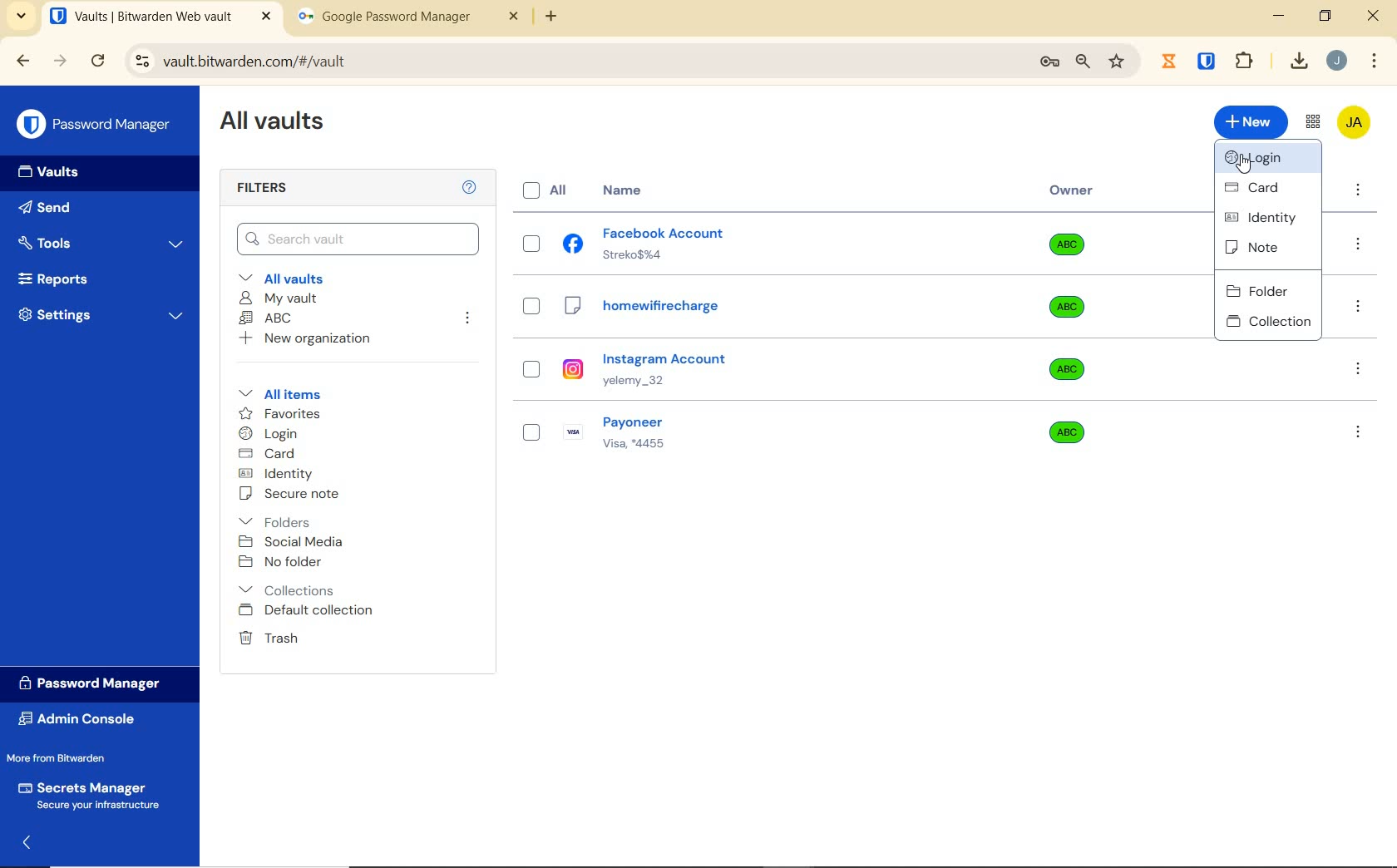 The image size is (1397, 868). I want to click on manage passwords, so click(1049, 62).